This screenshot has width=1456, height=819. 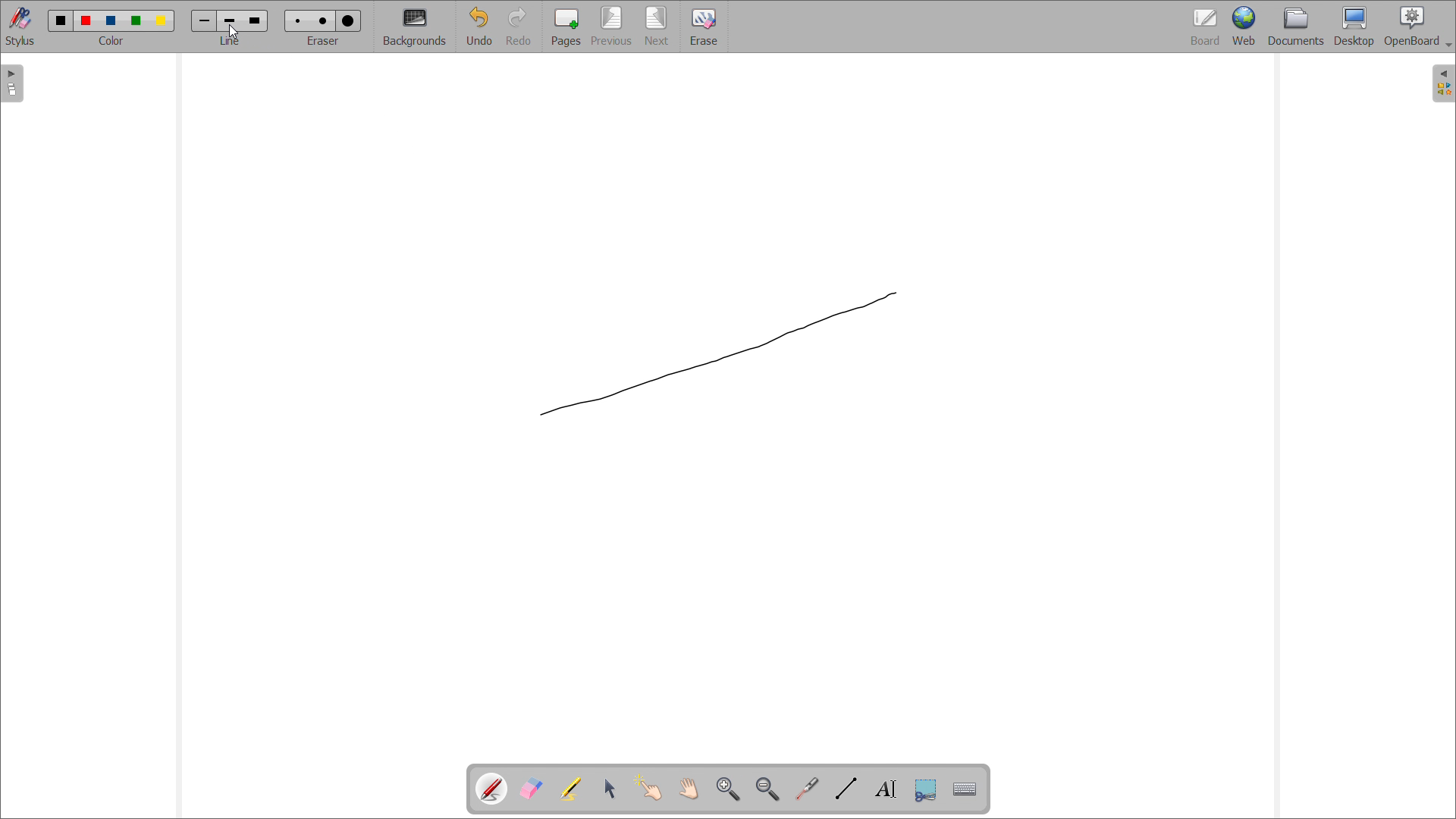 I want to click on draw lines, so click(x=846, y=789).